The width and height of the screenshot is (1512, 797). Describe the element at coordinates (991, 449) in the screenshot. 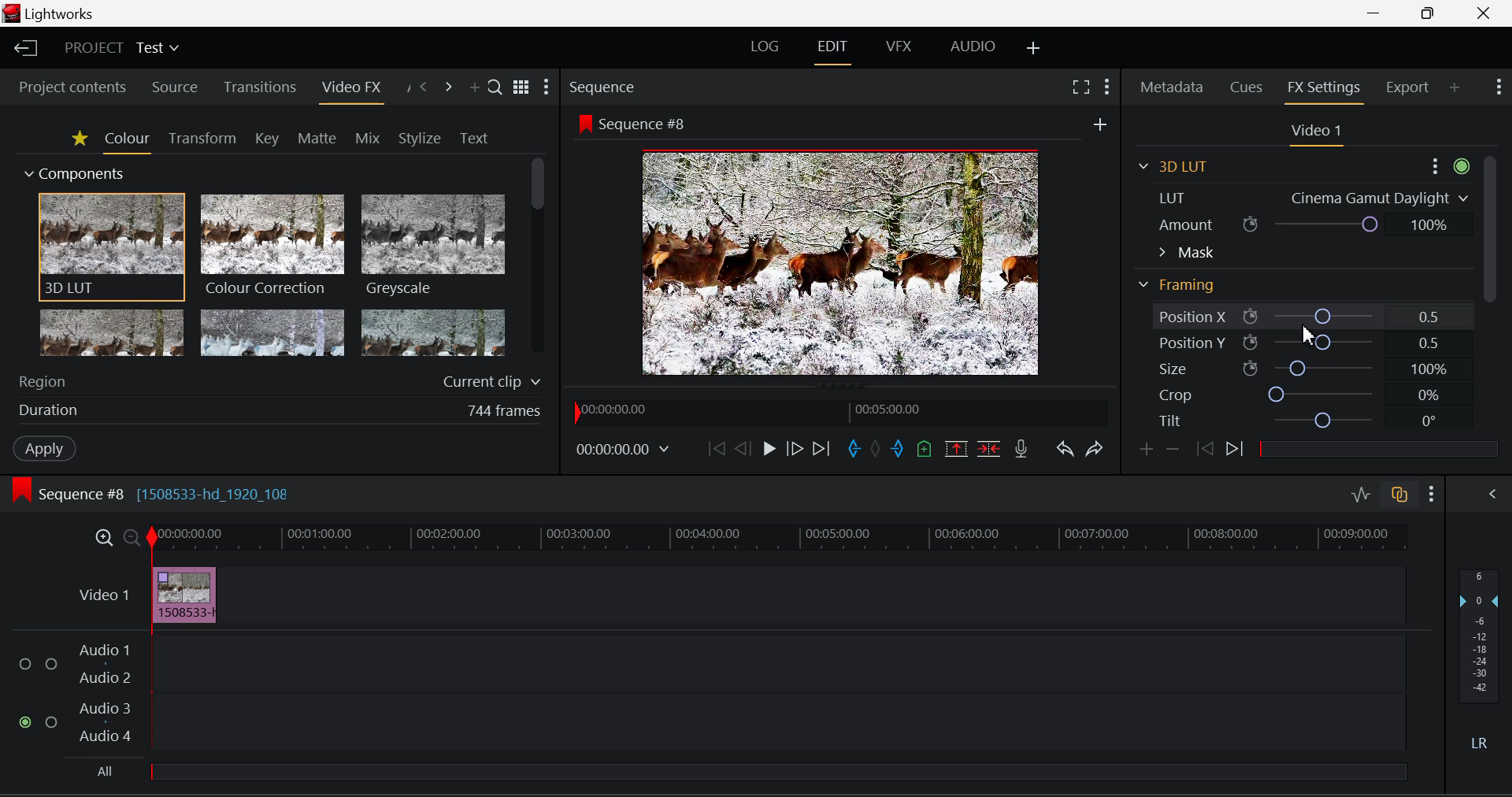

I see `Delete/Cut` at that location.